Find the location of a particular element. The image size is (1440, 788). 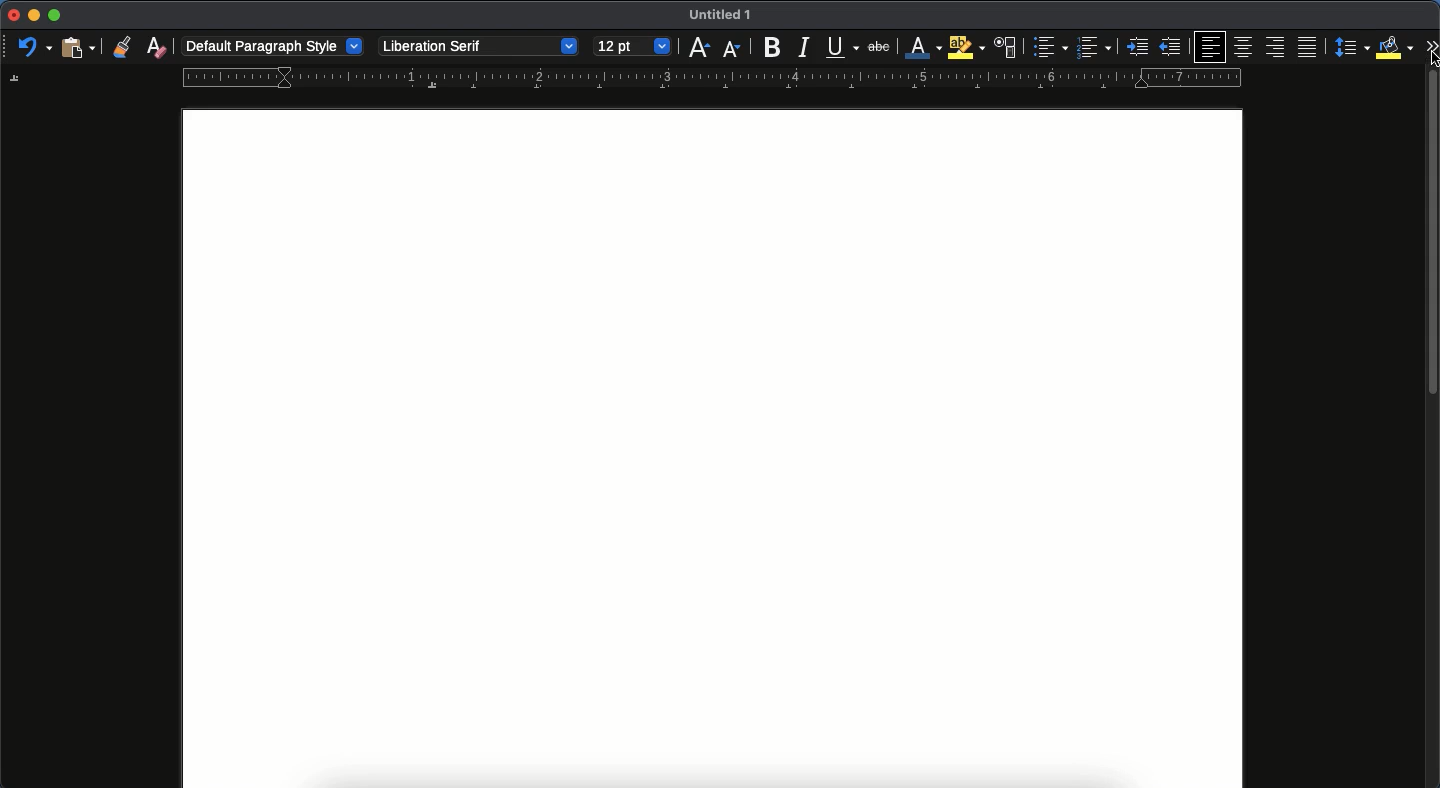

bullet is located at coordinates (1048, 47).